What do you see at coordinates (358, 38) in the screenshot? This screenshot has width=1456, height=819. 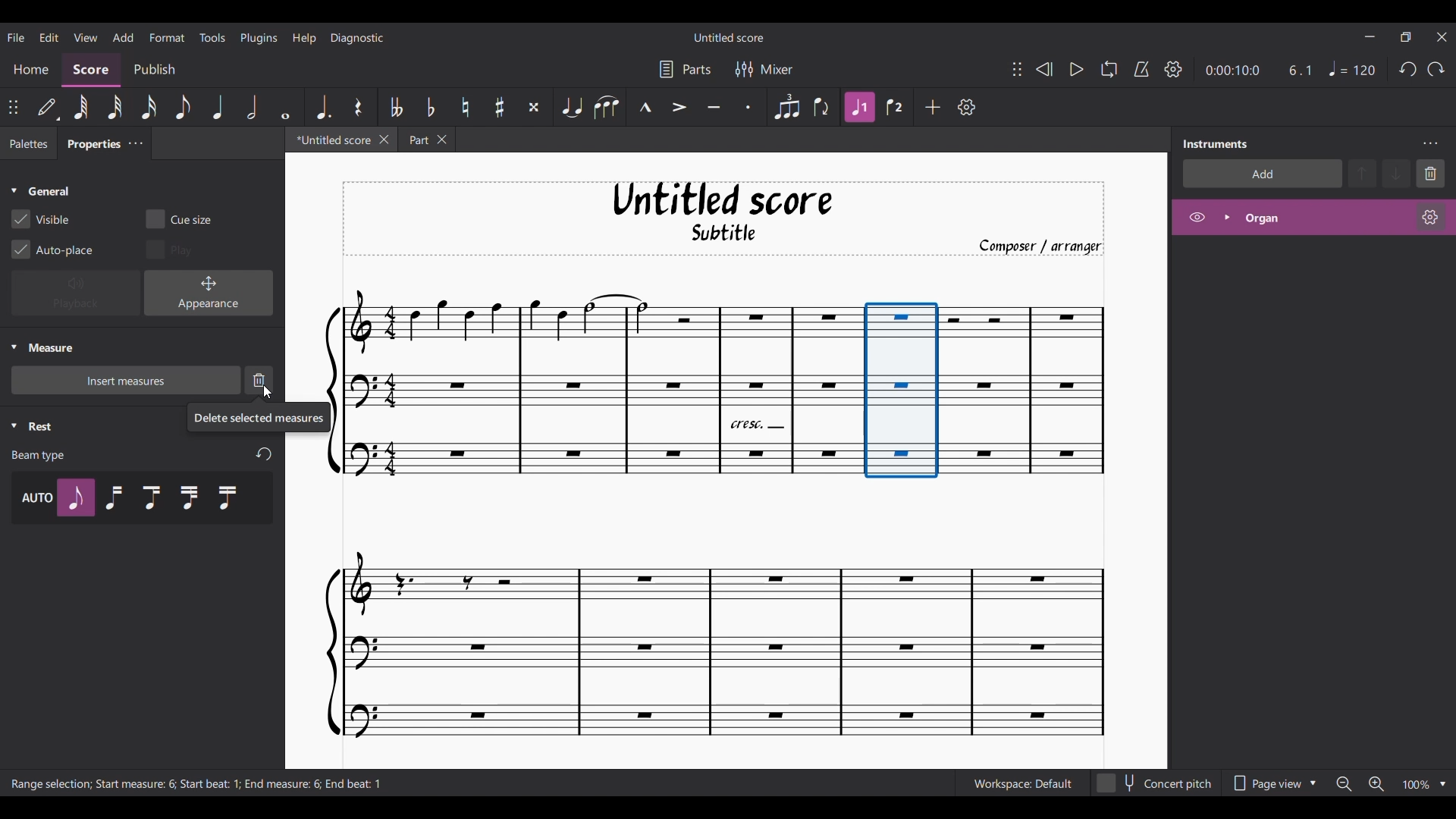 I see `Diagnostic menu` at bounding box center [358, 38].